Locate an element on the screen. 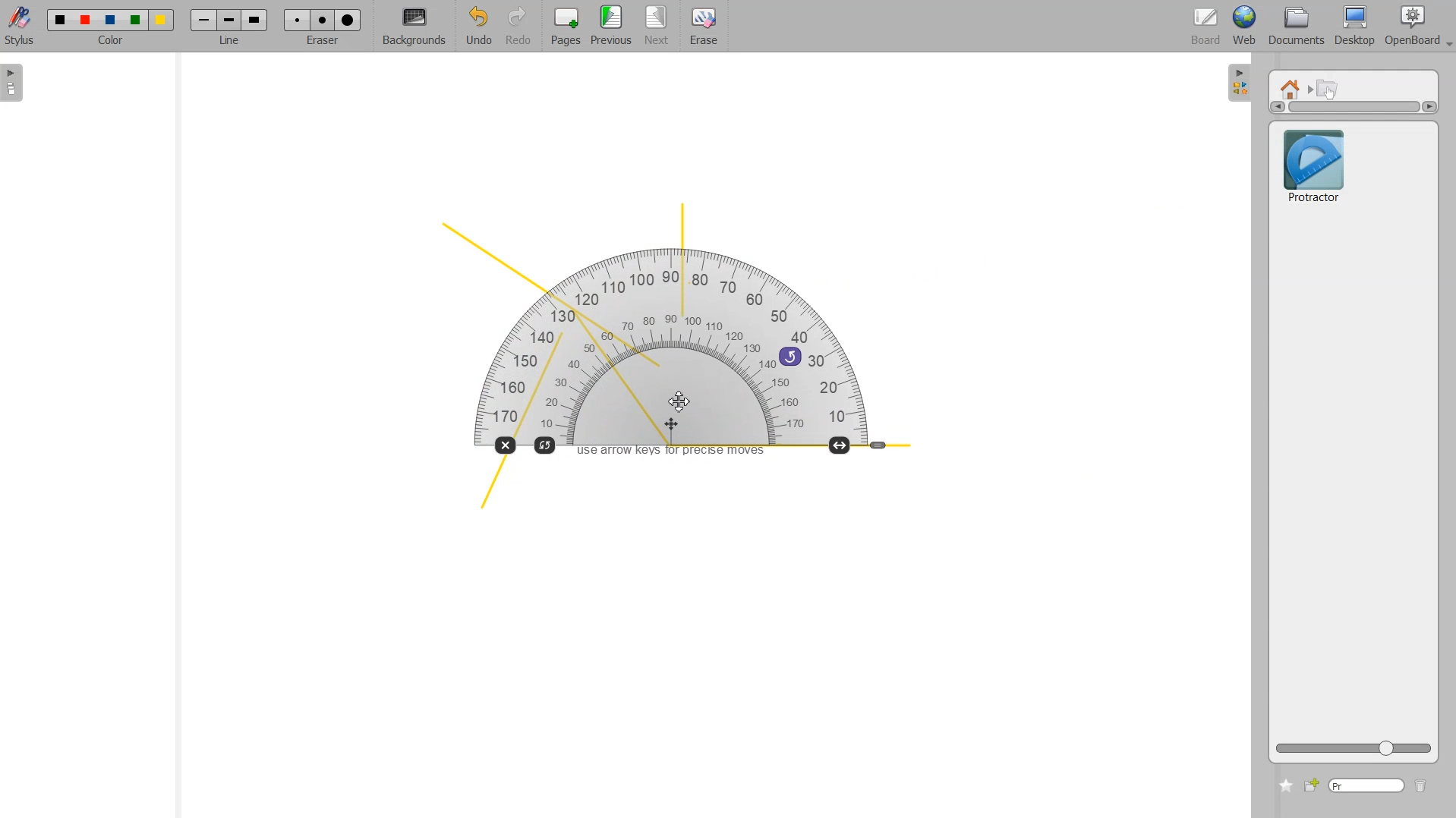  ZOOM Icon  is located at coordinates (1354, 748).